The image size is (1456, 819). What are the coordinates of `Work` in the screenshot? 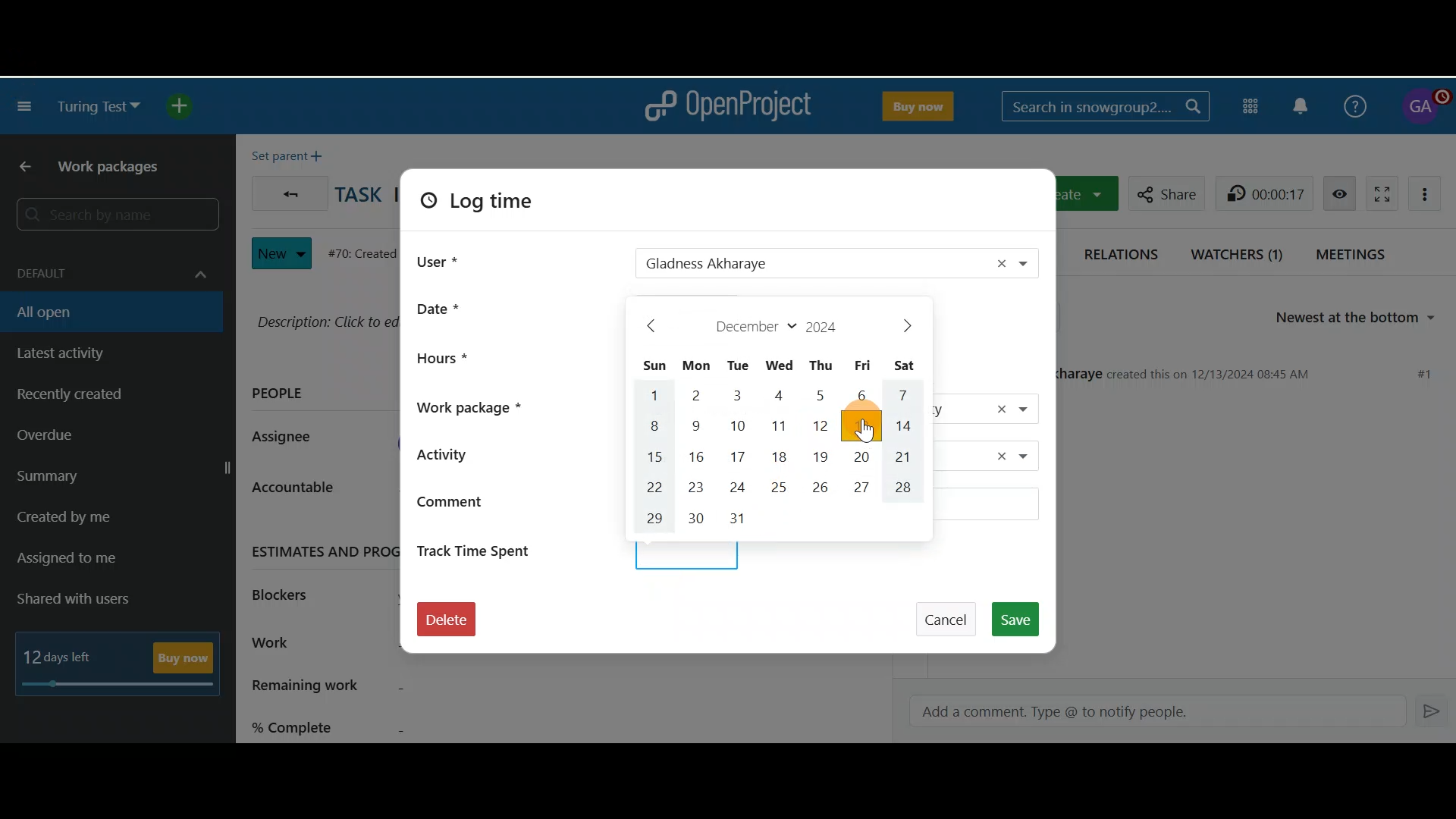 It's located at (315, 645).